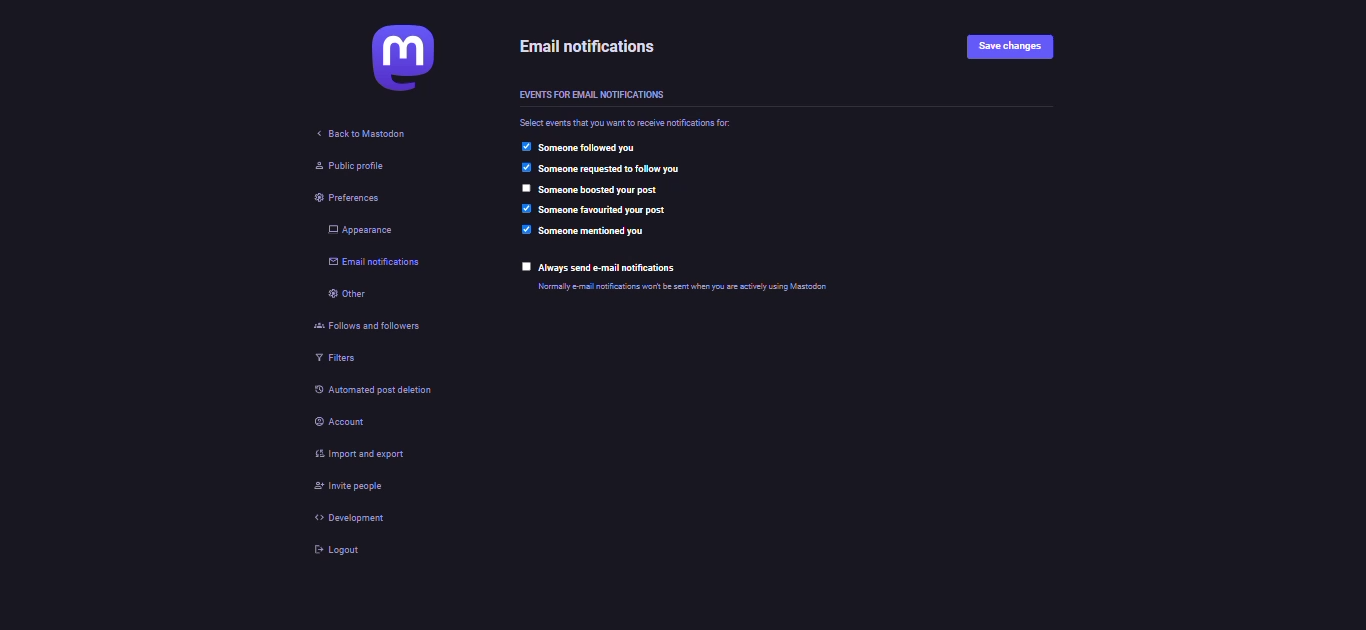 This screenshot has width=1366, height=630. What do you see at coordinates (593, 48) in the screenshot?
I see `email notifications` at bounding box center [593, 48].